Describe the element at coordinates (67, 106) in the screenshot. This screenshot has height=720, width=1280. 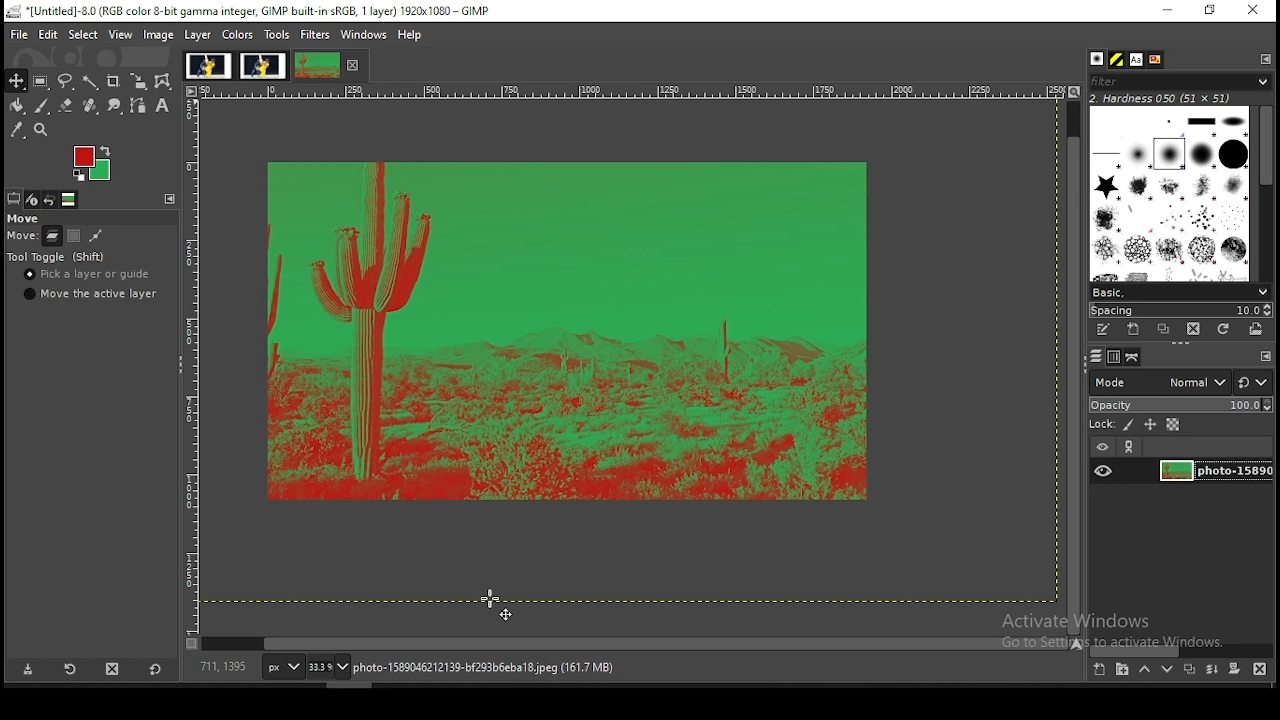
I see `eraser tool` at that location.